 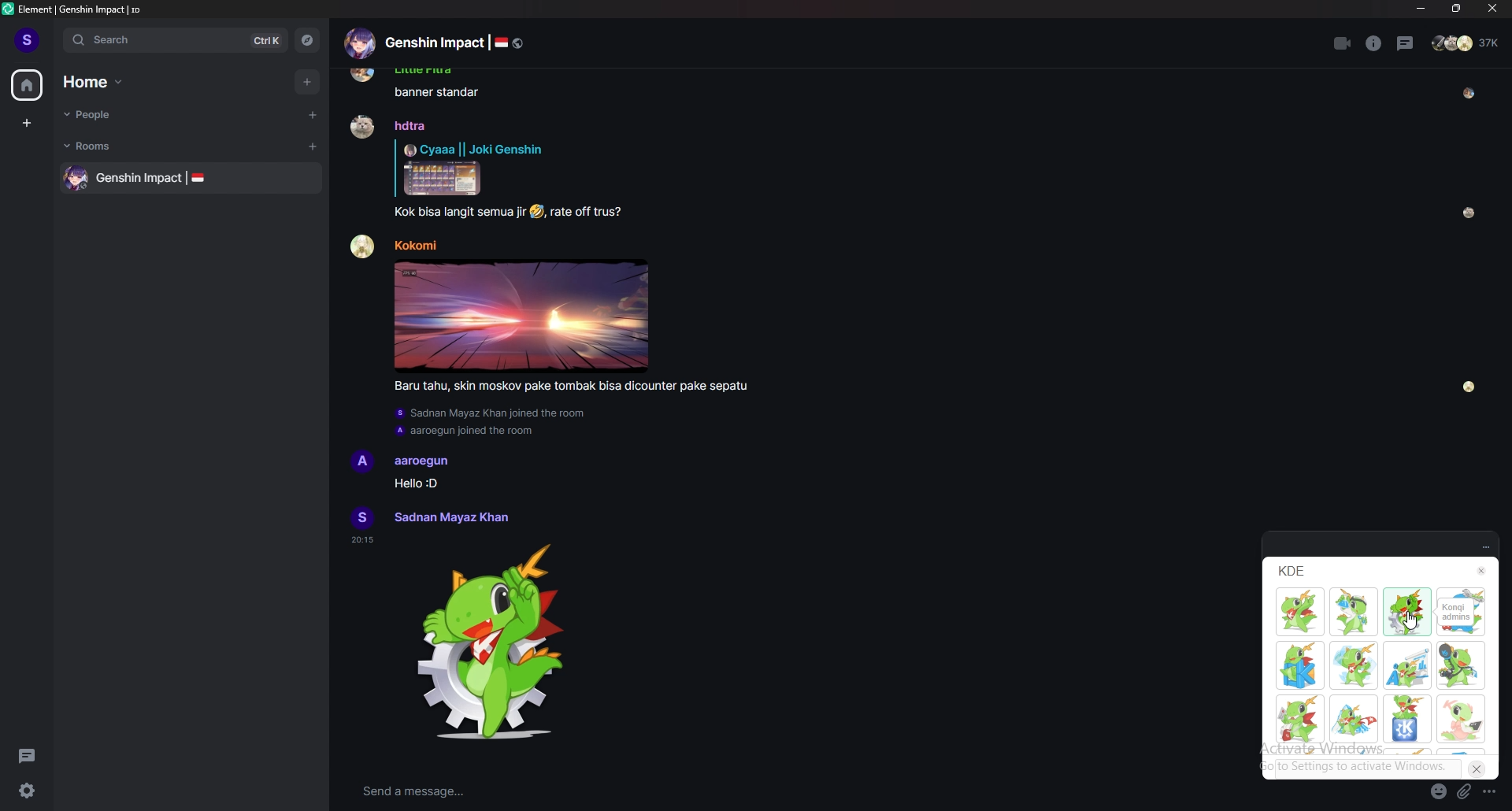 What do you see at coordinates (491, 413) in the screenshot?
I see `Sadnan Mayaz Khan joined the room` at bounding box center [491, 413].